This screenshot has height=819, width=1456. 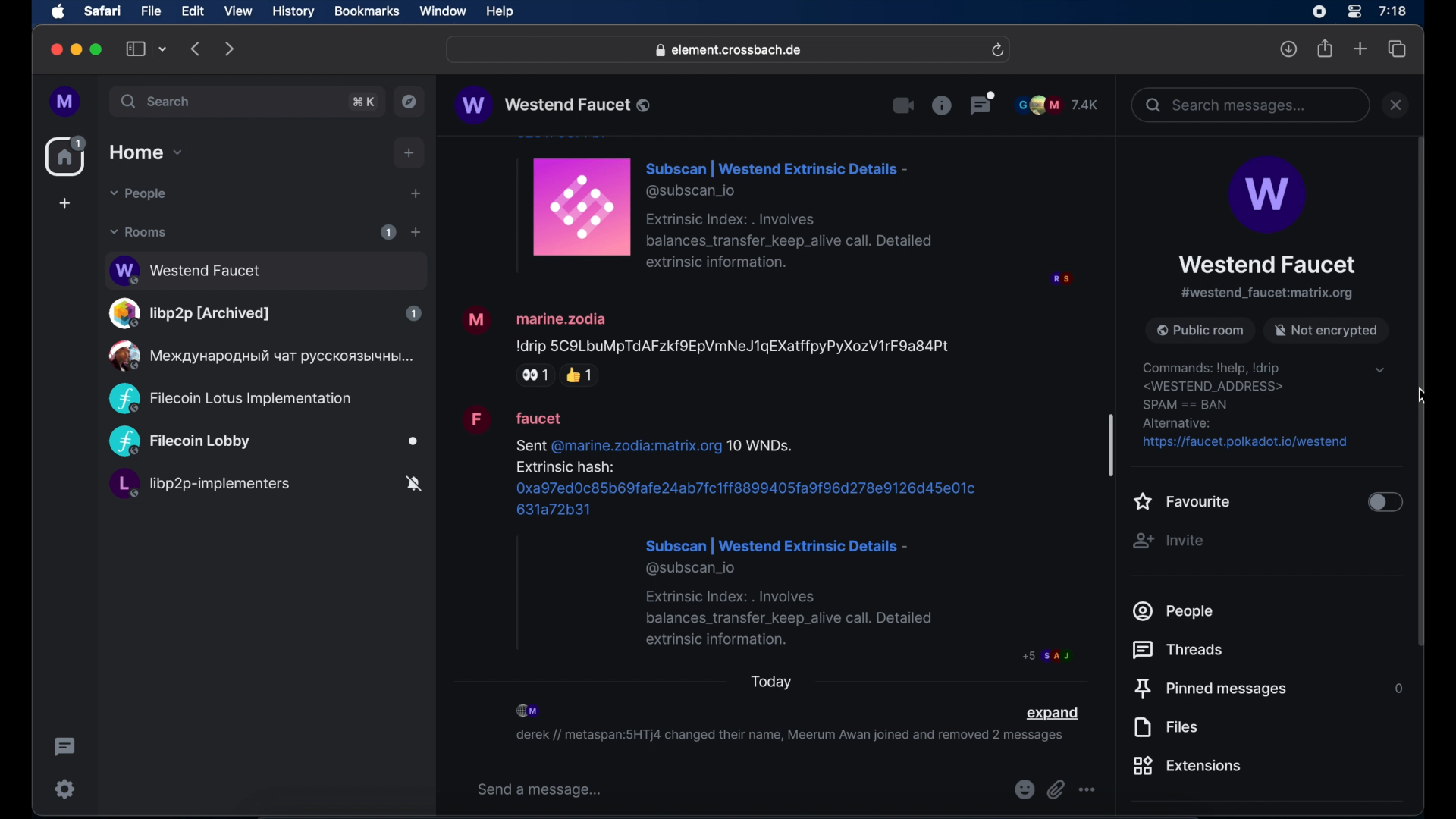 I want to click on 0, so click(x=1398, y=689).